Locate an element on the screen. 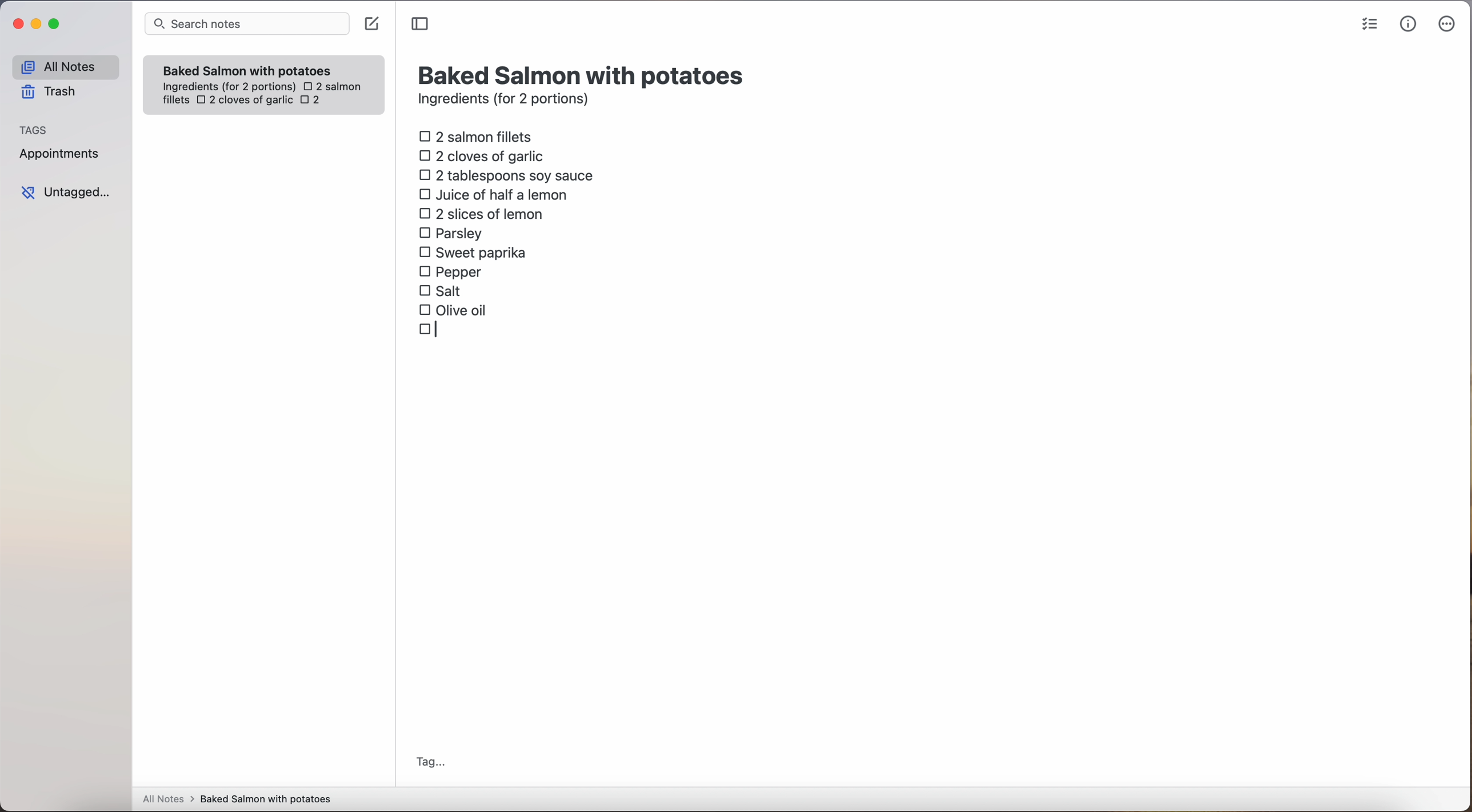 This screenshot has height=812, width=1472. maximize is located at coordinates (56, 23).